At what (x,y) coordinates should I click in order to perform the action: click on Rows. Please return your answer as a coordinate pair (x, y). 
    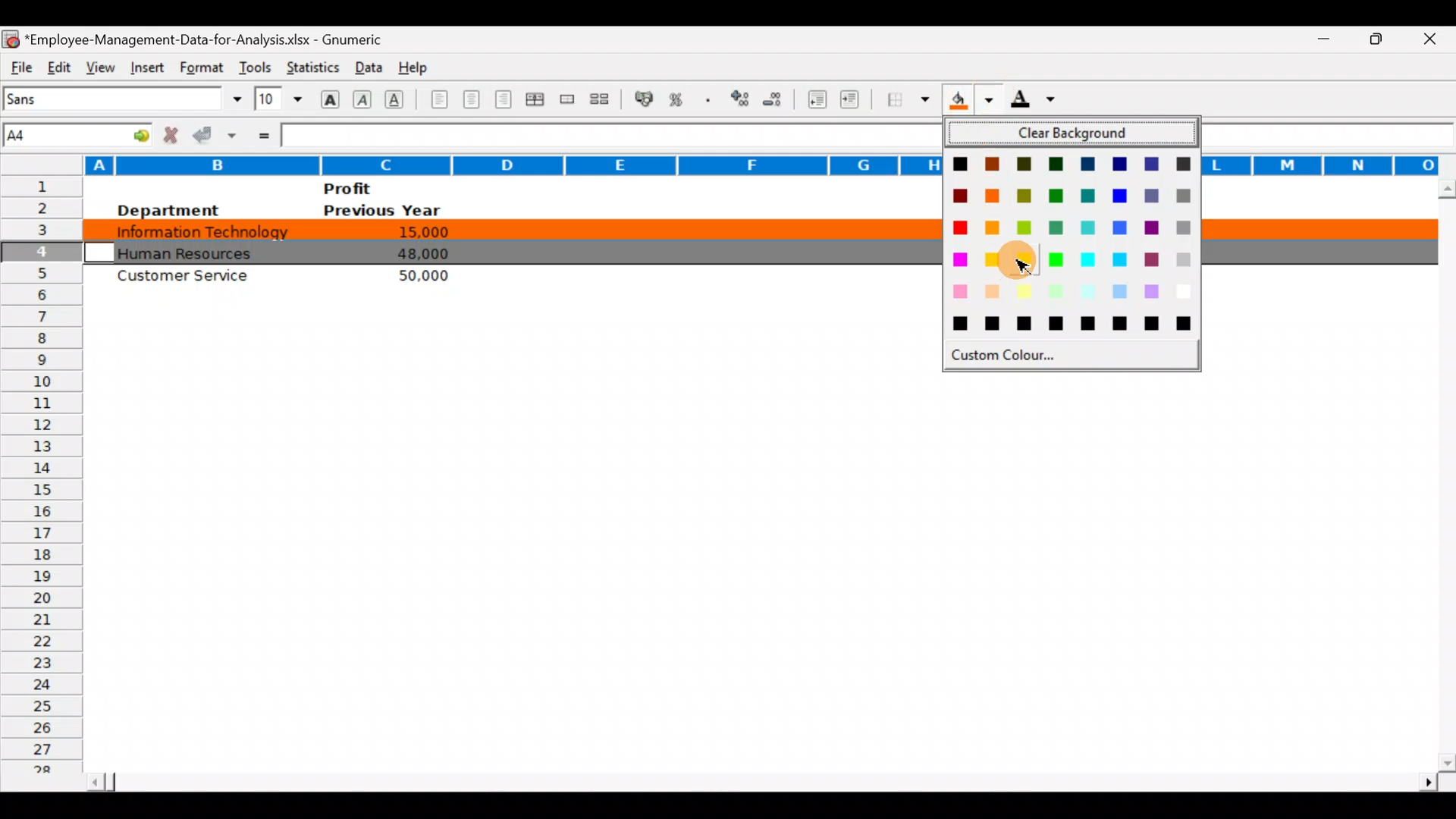
    Looking at the image, I should click on (41, 479).